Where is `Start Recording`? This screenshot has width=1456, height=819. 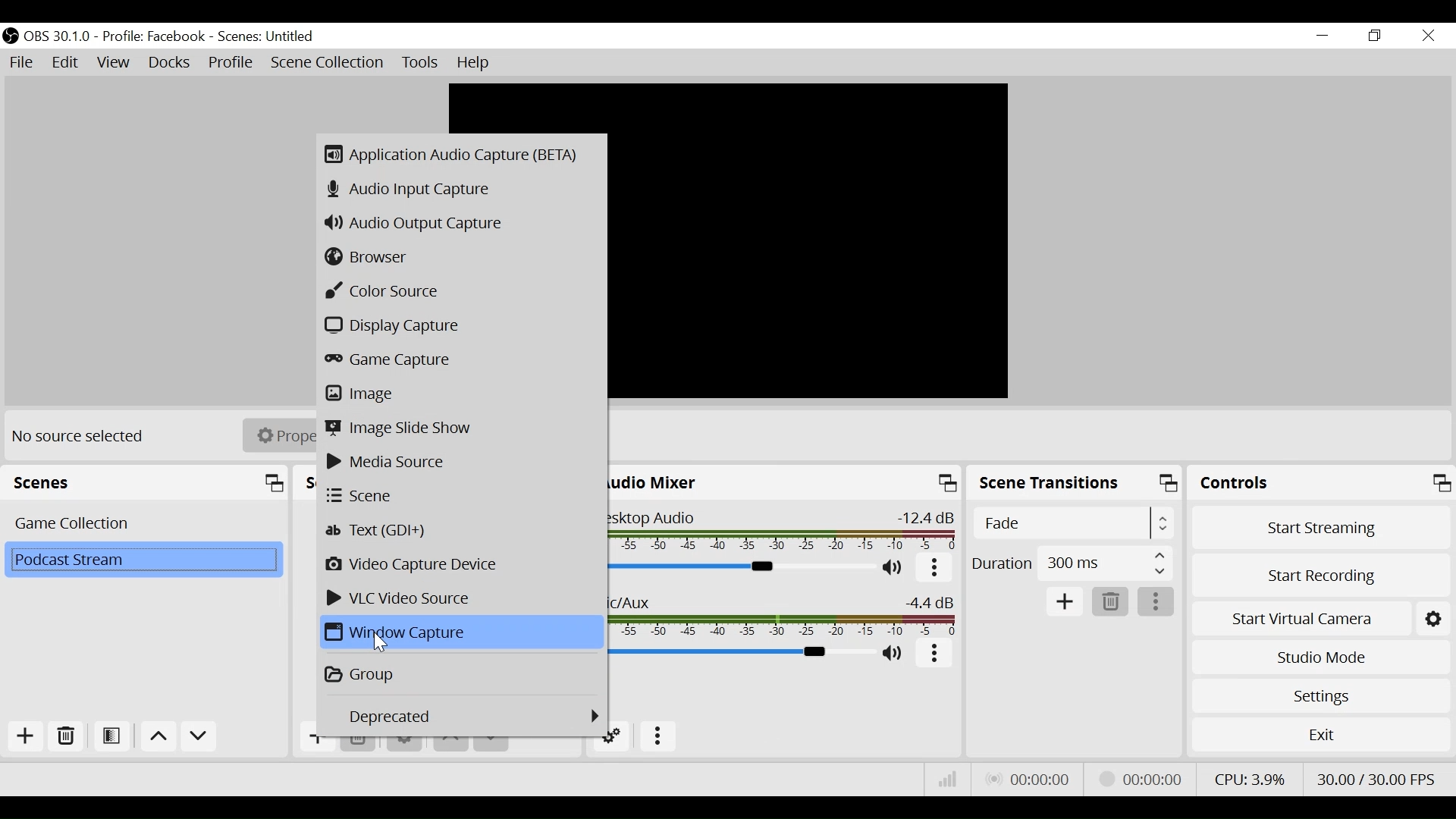
Start Recording is located at coordinates (1318, 574).